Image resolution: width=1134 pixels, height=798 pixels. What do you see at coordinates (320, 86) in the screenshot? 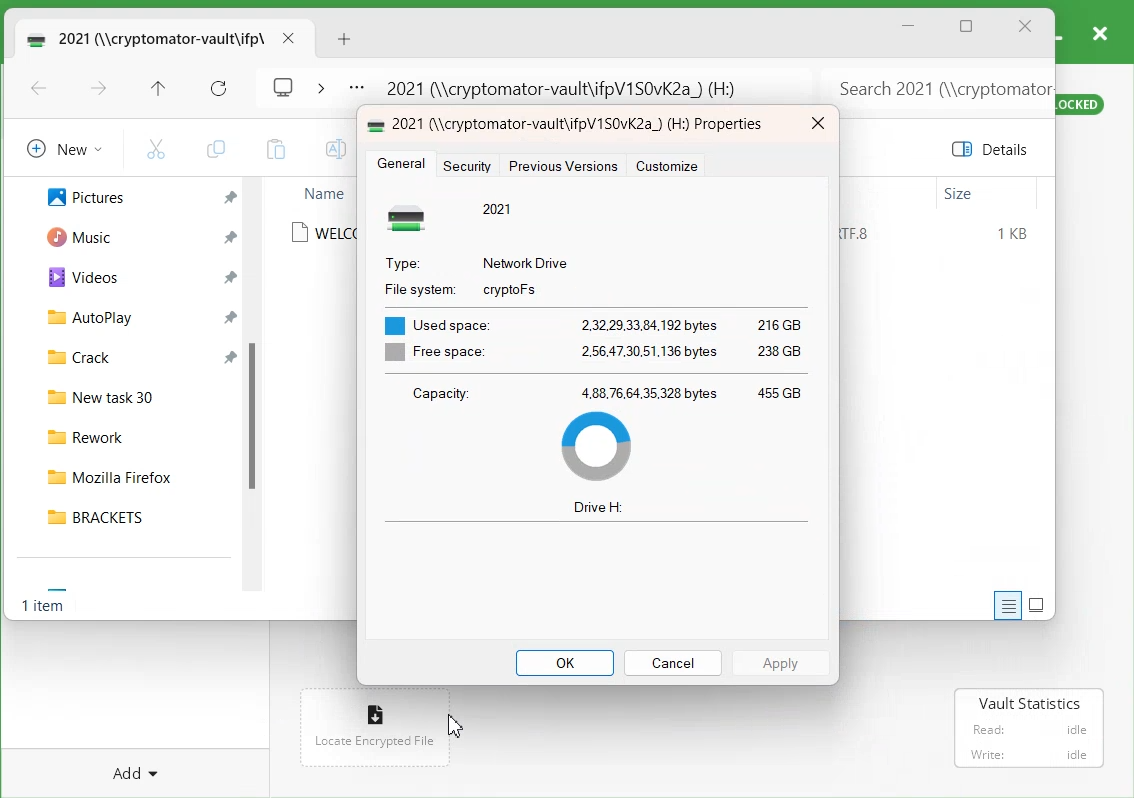
I see `Drop down box` at bounding box center [320, 86].